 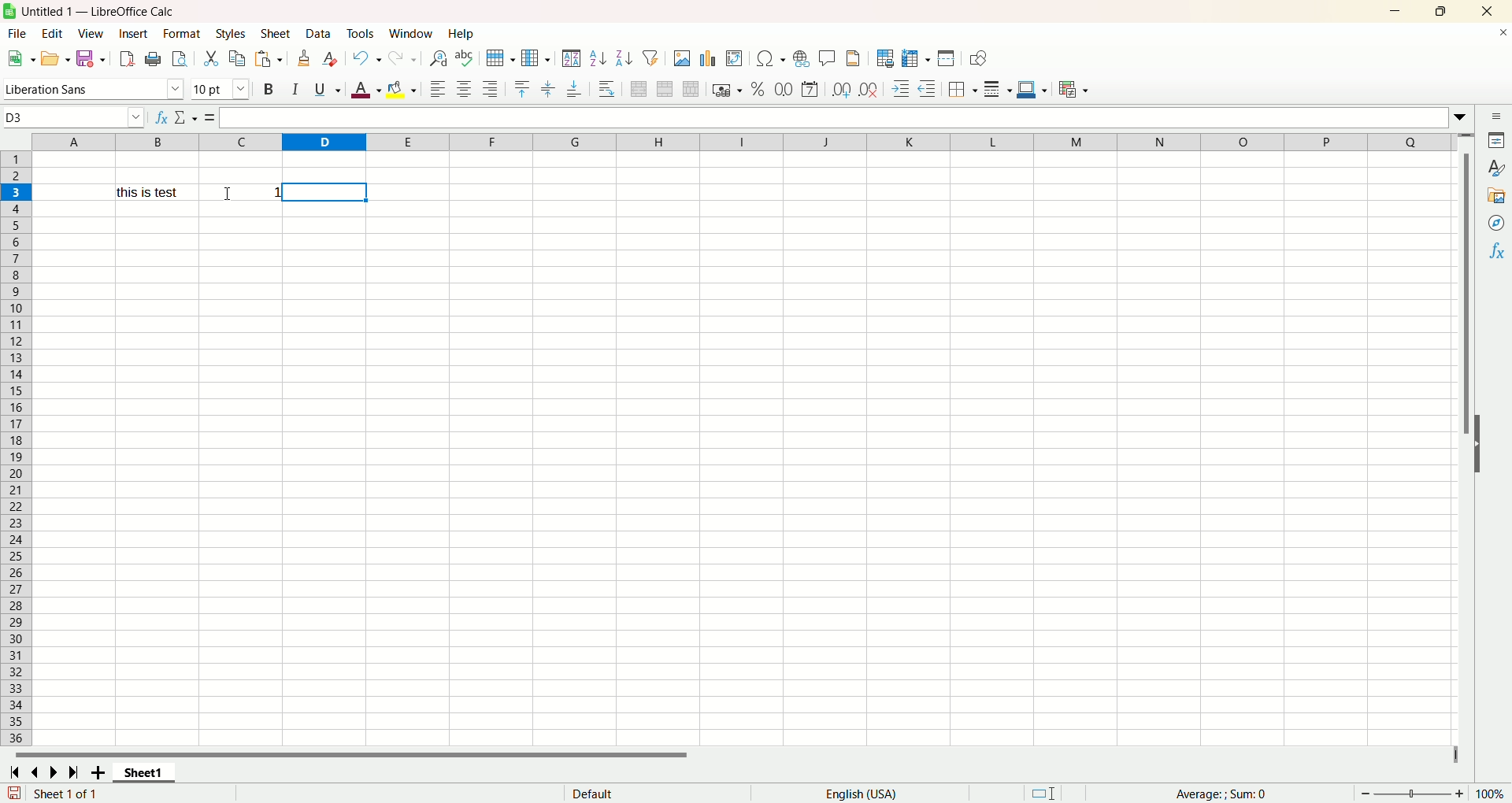 What do you see at coordinates (595, 58) in the screenshot?
I see `sort ascending` at bounding box center [595, 58].